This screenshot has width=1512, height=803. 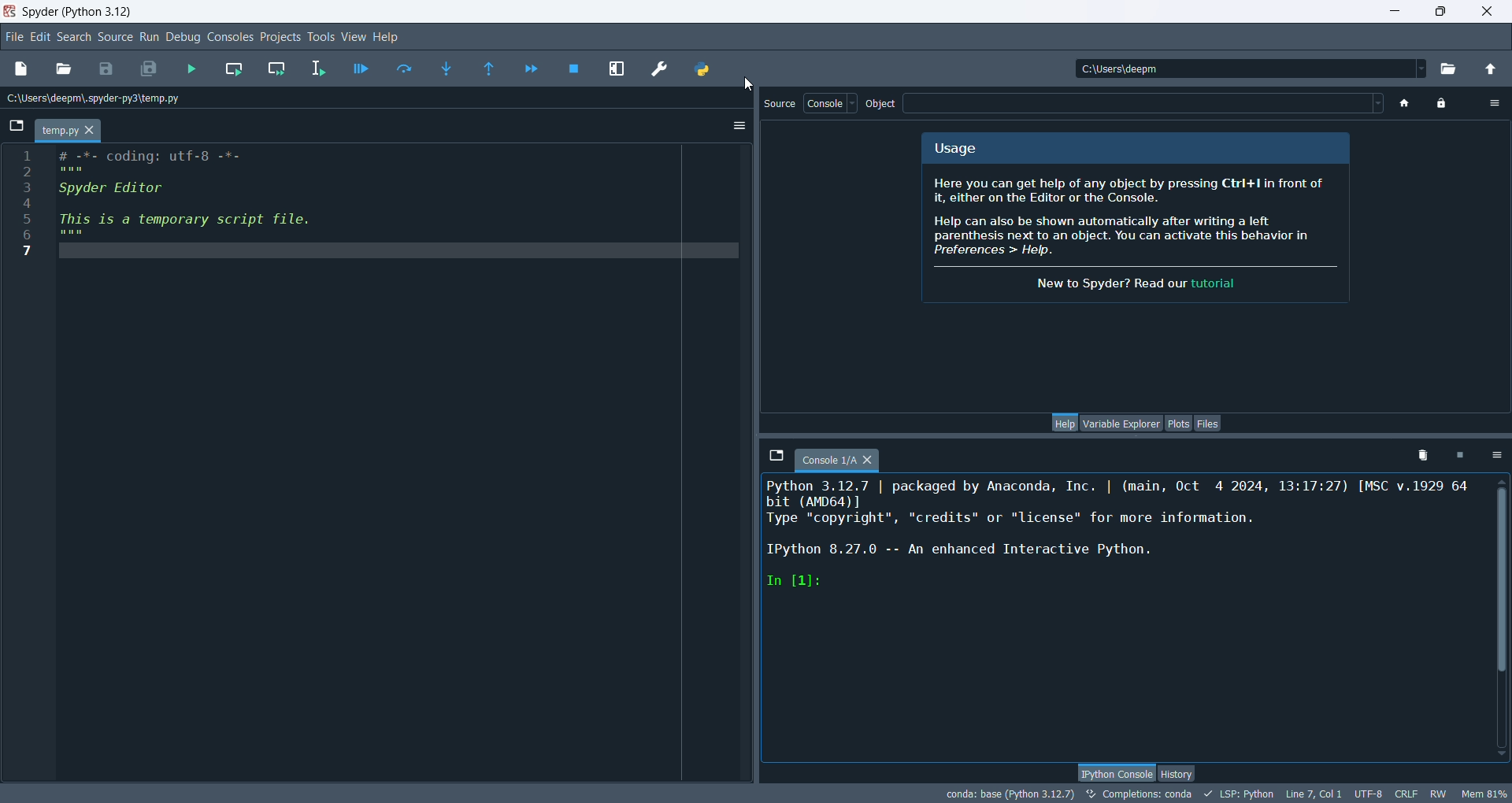 I want to click on maximize, so click(x=1440, y=11).